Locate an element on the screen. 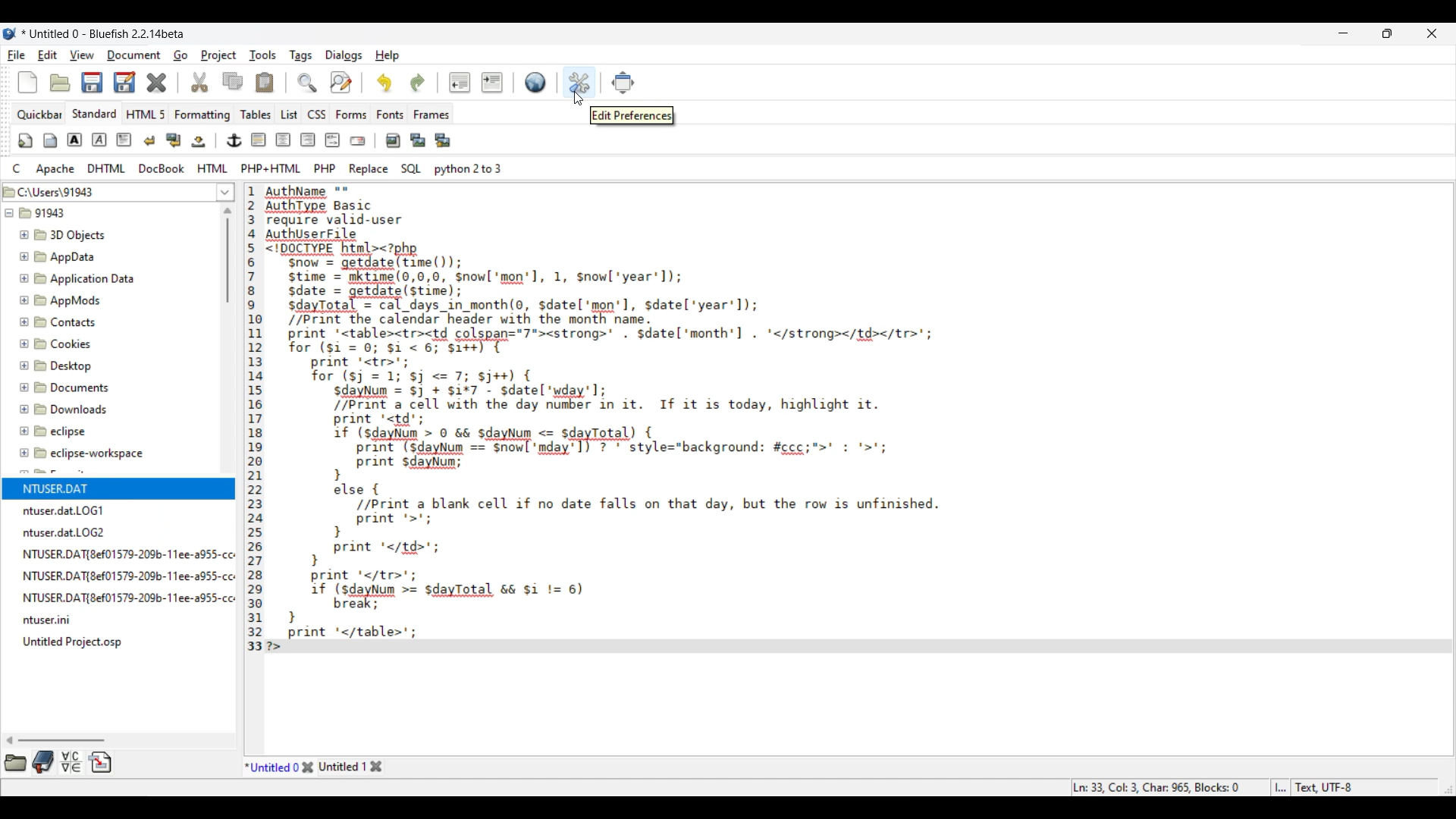 The height and width of the screenshot is (819, 1456). Status bar is located at coordinates (1214, 787).